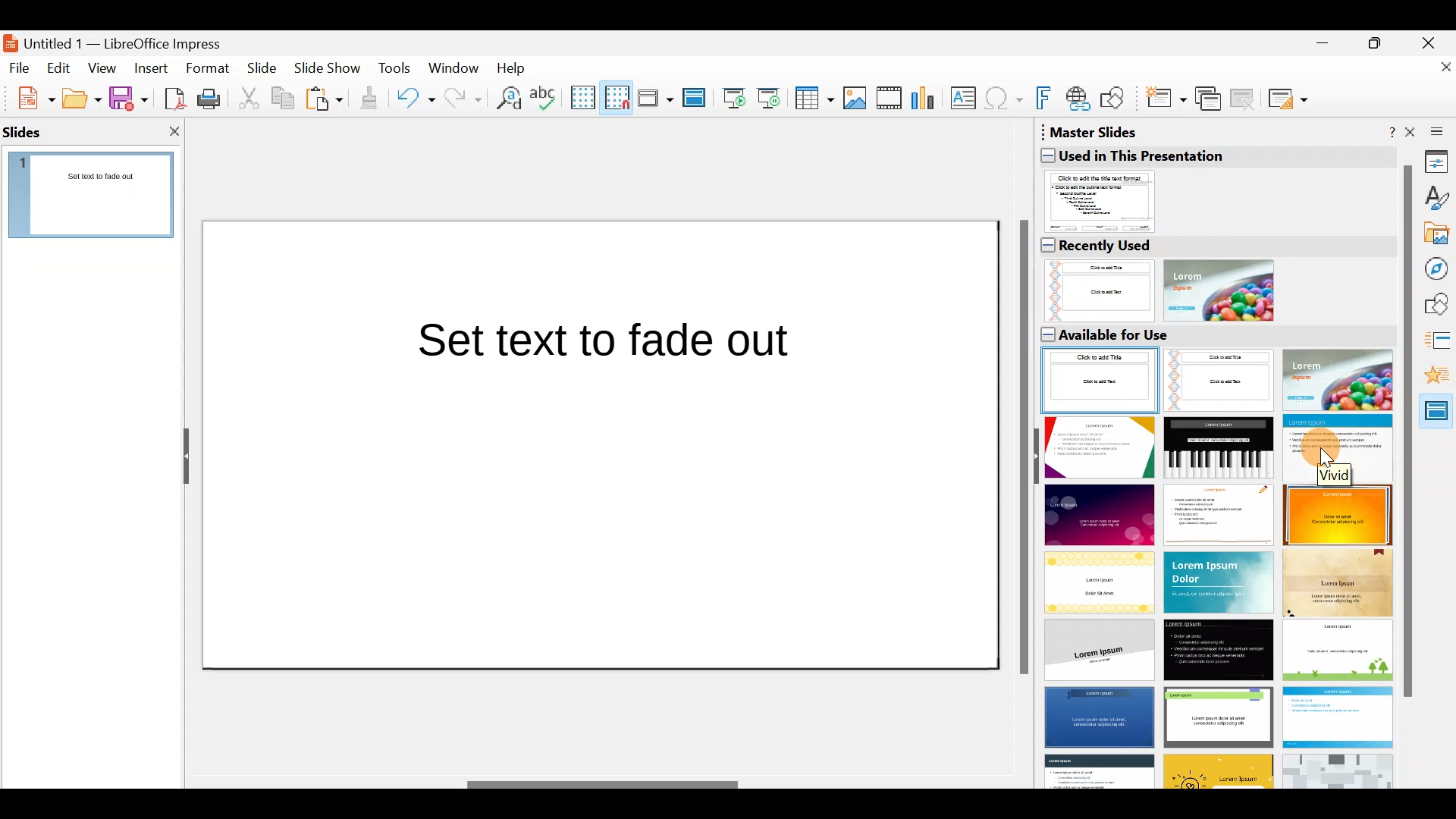 The height and width of the screenshot is (819, 1456). What do you see at coordinates (61, 68) in the screenshot?
I see `Edit` at bounding box center [61, 68].